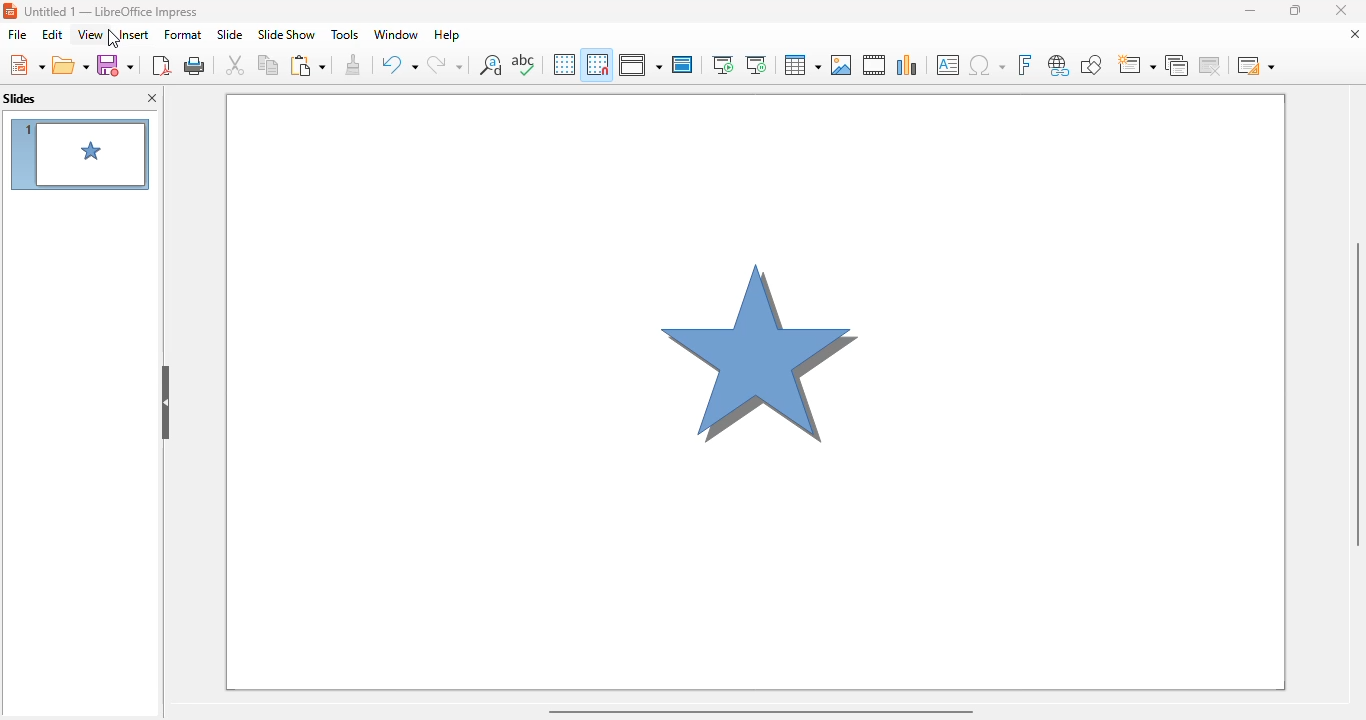 This screenshot has width=1366, height=720. I want to click on insert chart, so click(908, 65).